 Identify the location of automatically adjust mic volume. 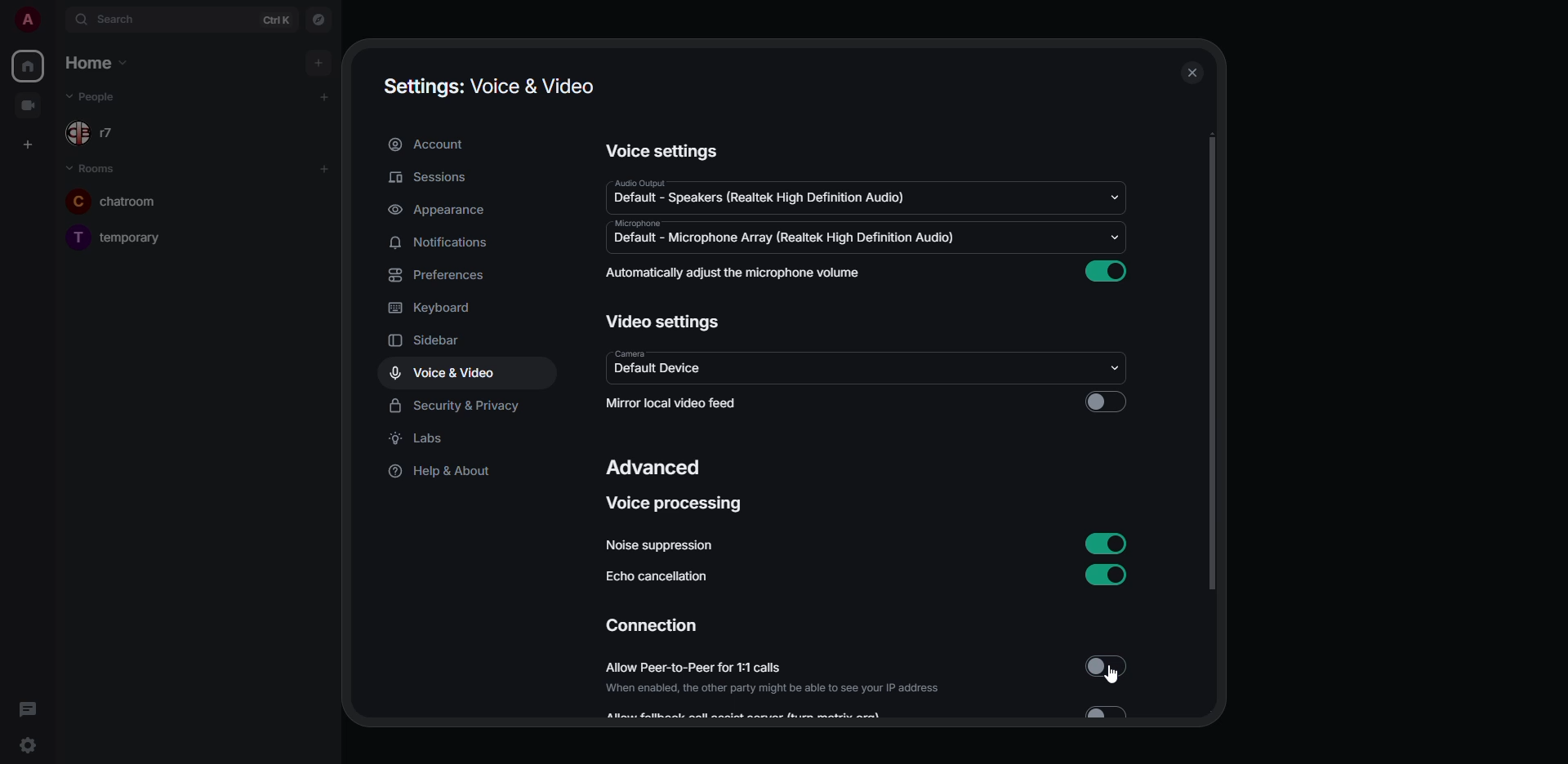
(738, 274).